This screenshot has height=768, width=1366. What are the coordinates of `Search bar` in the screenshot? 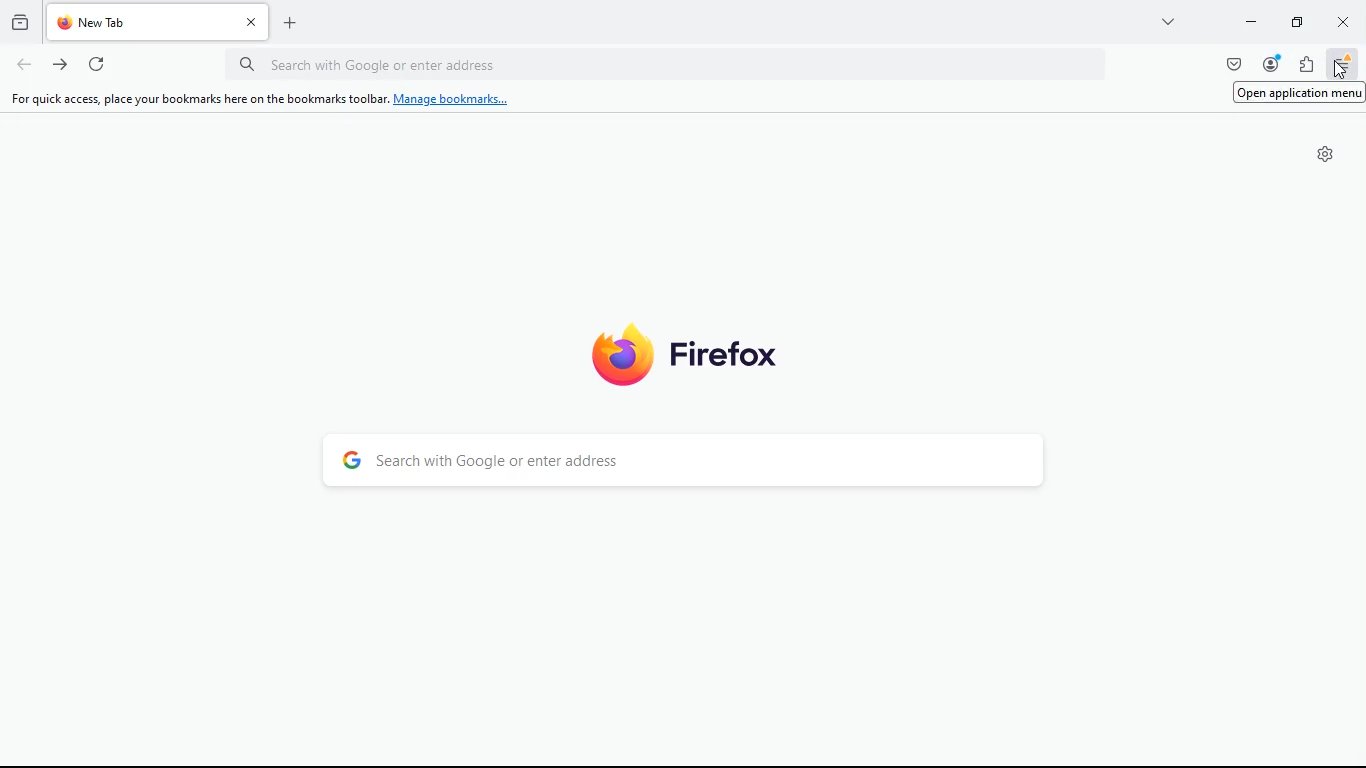 It's located at (670, 65).